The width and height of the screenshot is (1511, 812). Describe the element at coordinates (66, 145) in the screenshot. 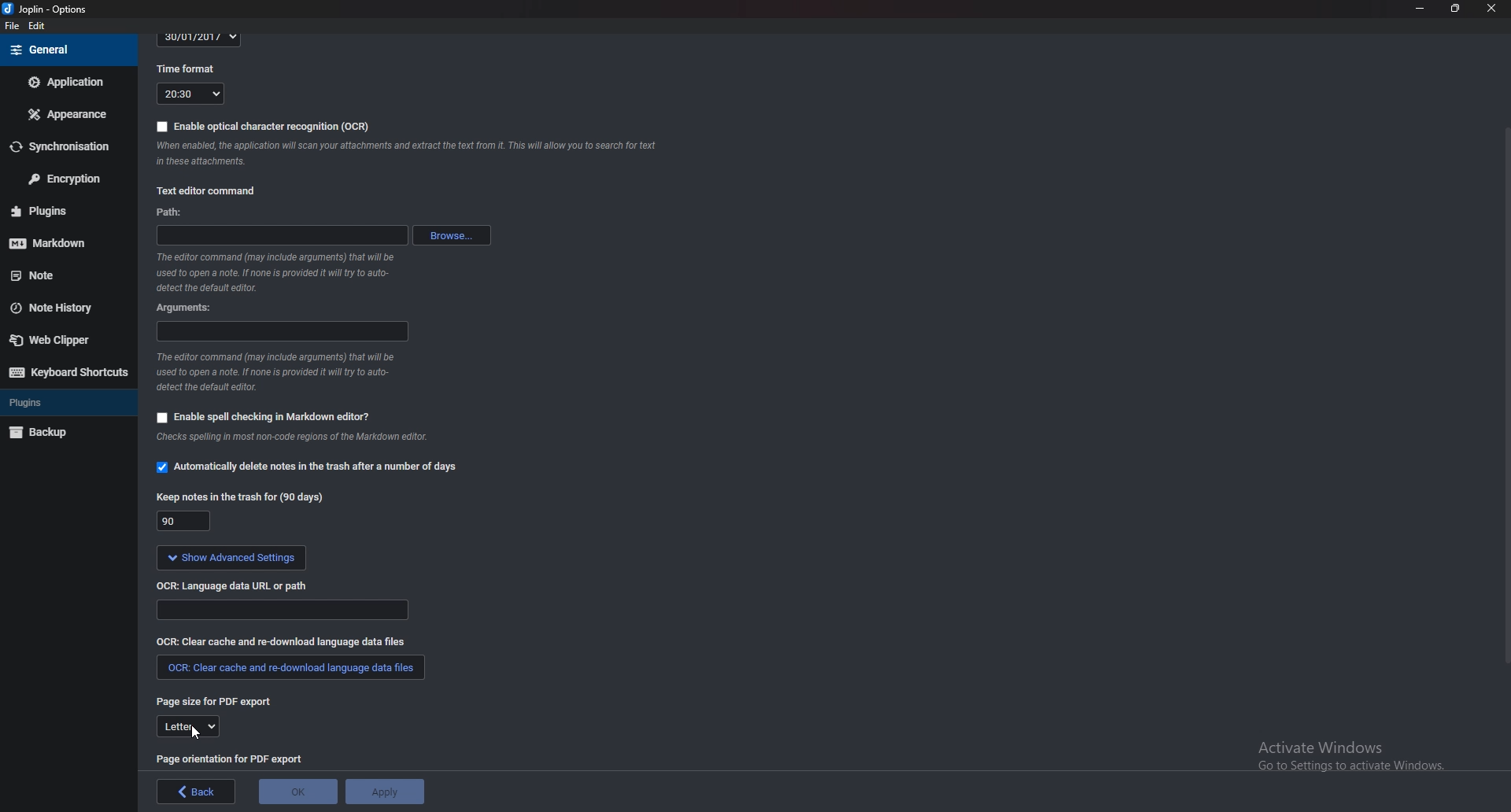

I see `Synchronization` at that location.